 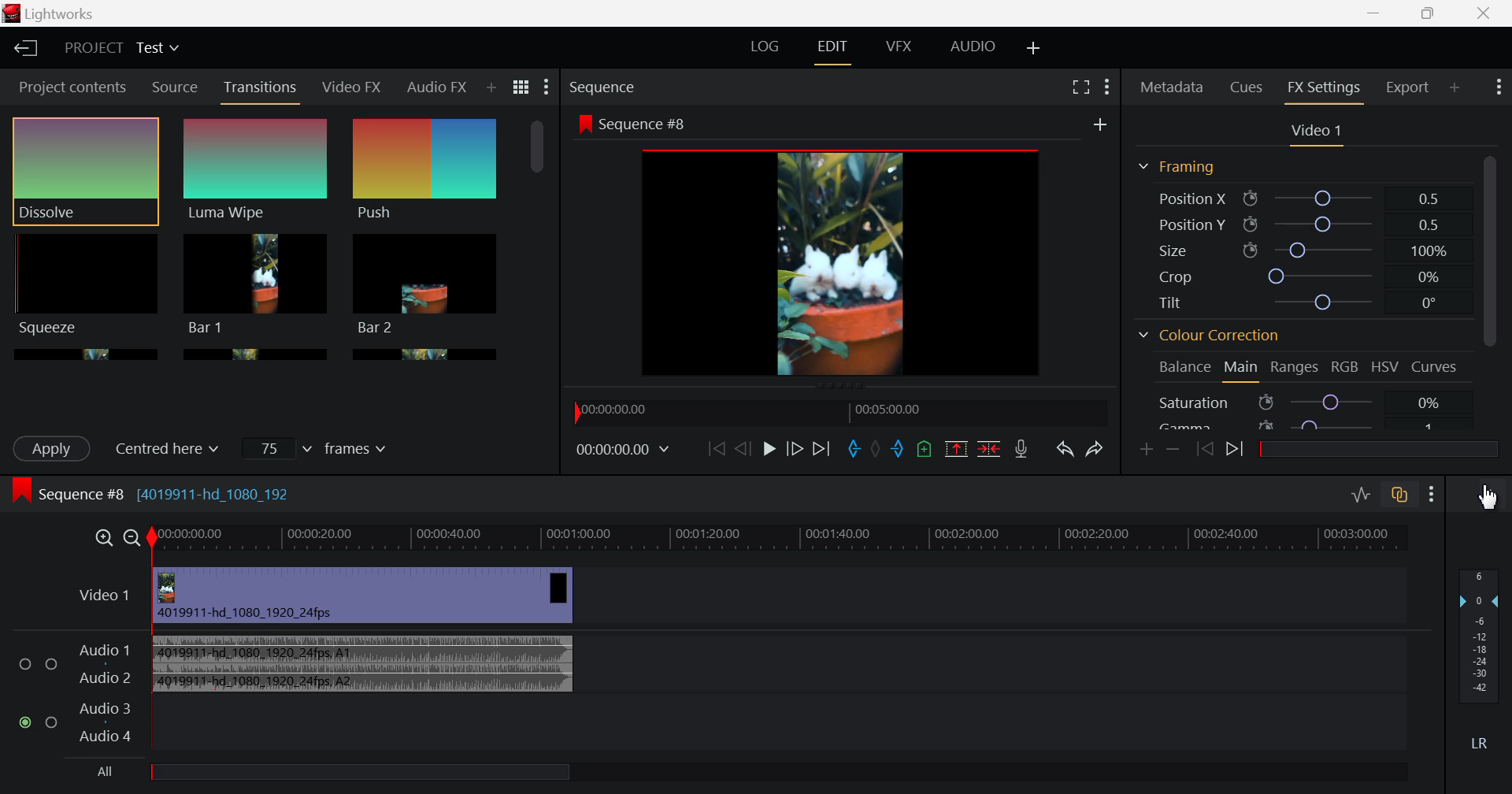 What do you see at coordinates (875, 449) in the screenshot?
I see `Remove all marks` at bounding box center [875, 449].